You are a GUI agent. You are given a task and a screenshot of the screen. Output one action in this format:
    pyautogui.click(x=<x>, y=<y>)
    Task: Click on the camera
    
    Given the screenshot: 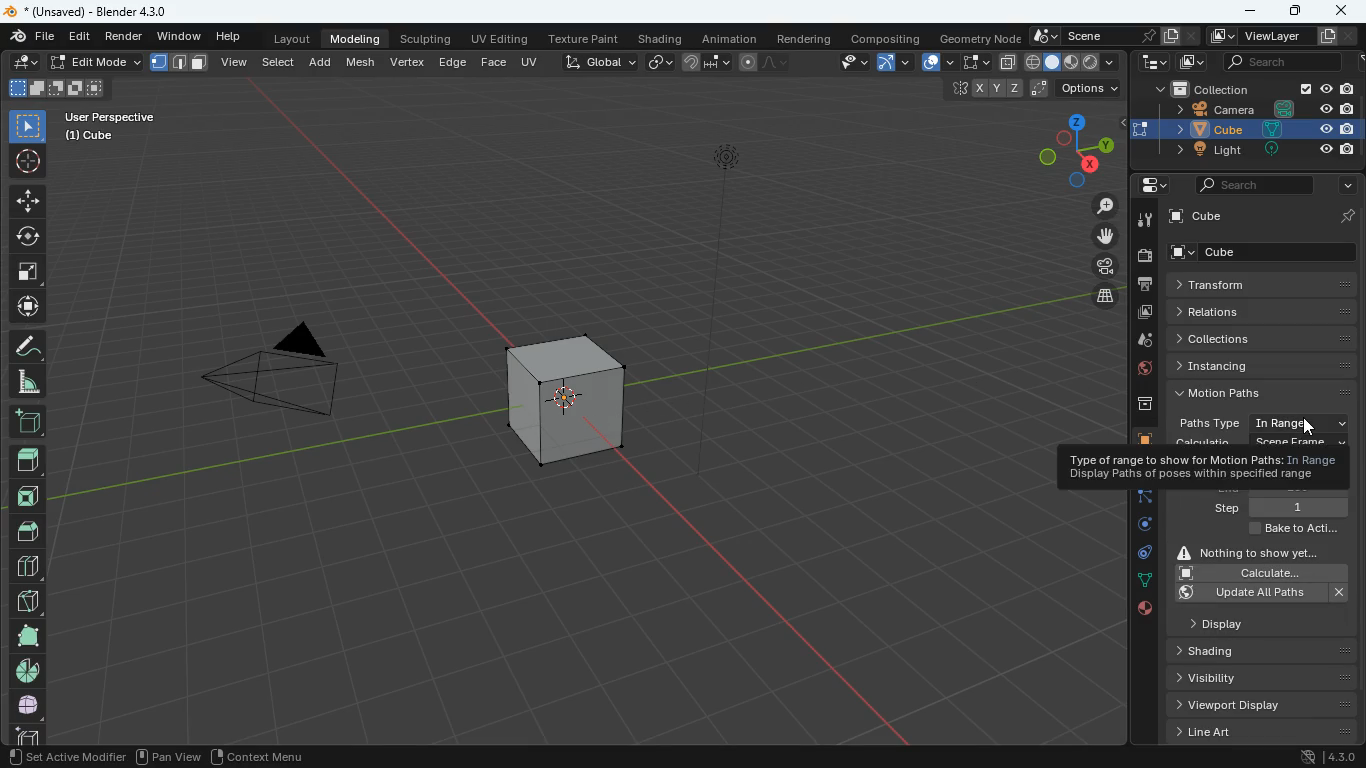 What is the action you would take?
    pyautogui.click(x=1143, y=256)
    